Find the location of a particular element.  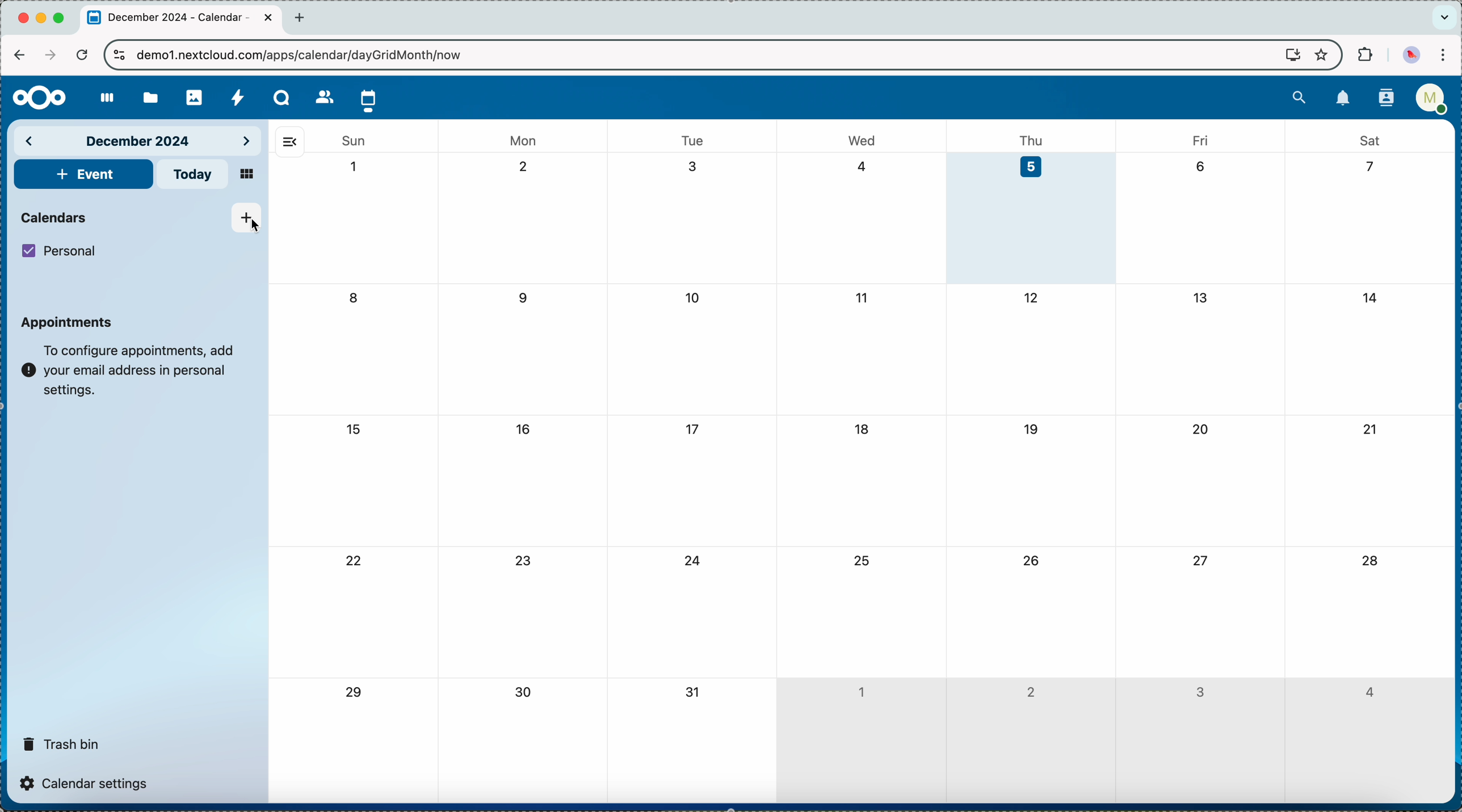

21 is located at coordinates (1369, 429).